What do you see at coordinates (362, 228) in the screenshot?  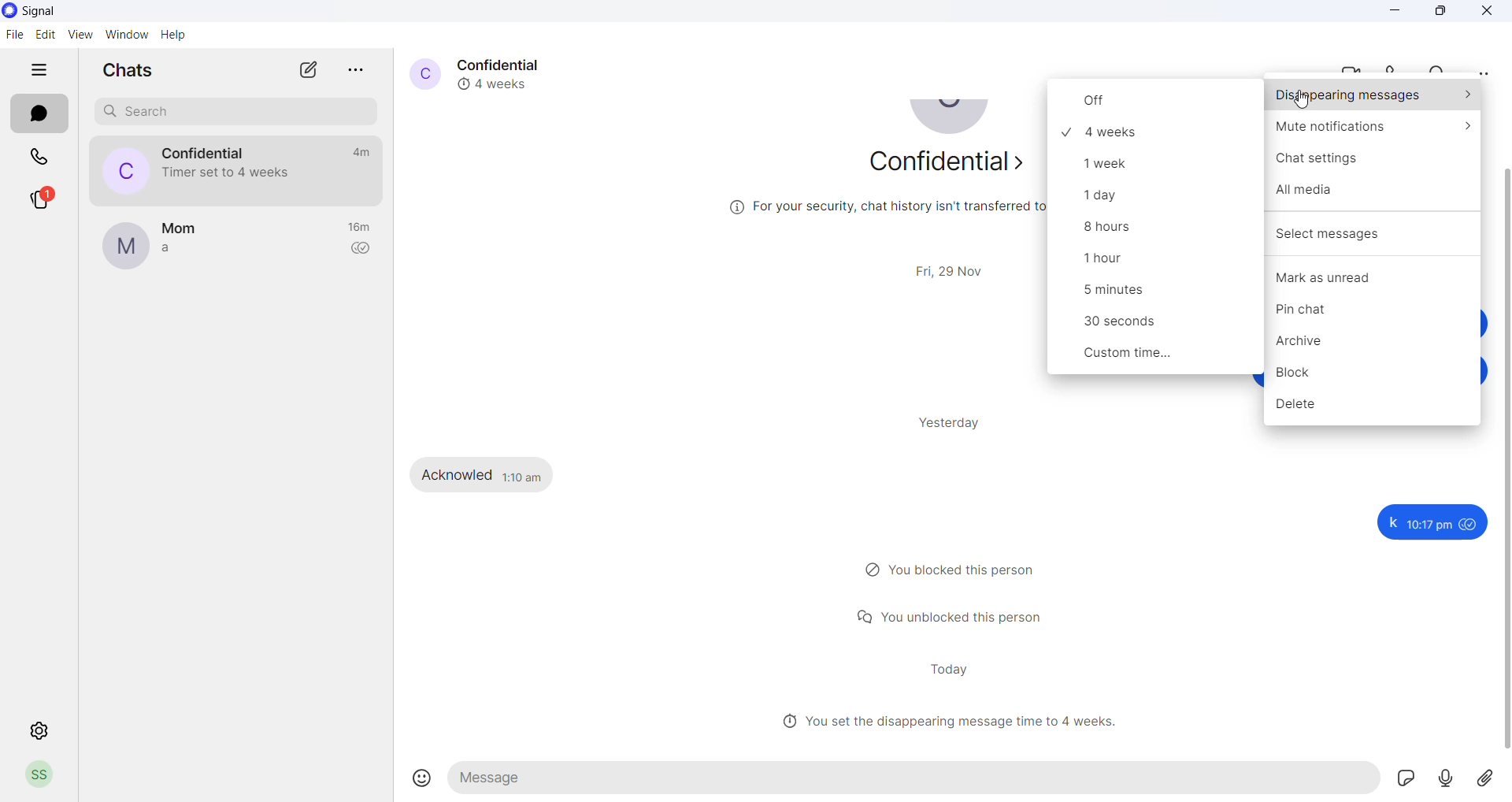 I see `last message timeframe` at bounding box center [362, 228].